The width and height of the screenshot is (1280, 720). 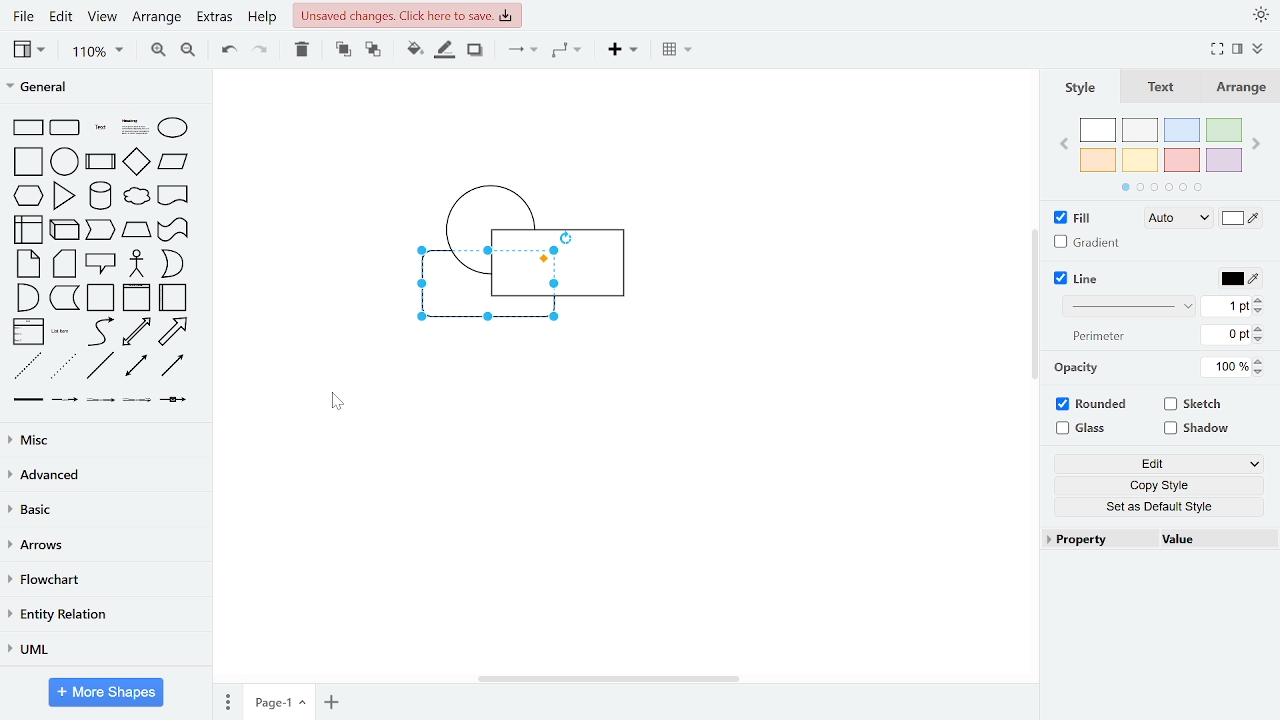 I want to click on glass, so click(x=1084, y=429).